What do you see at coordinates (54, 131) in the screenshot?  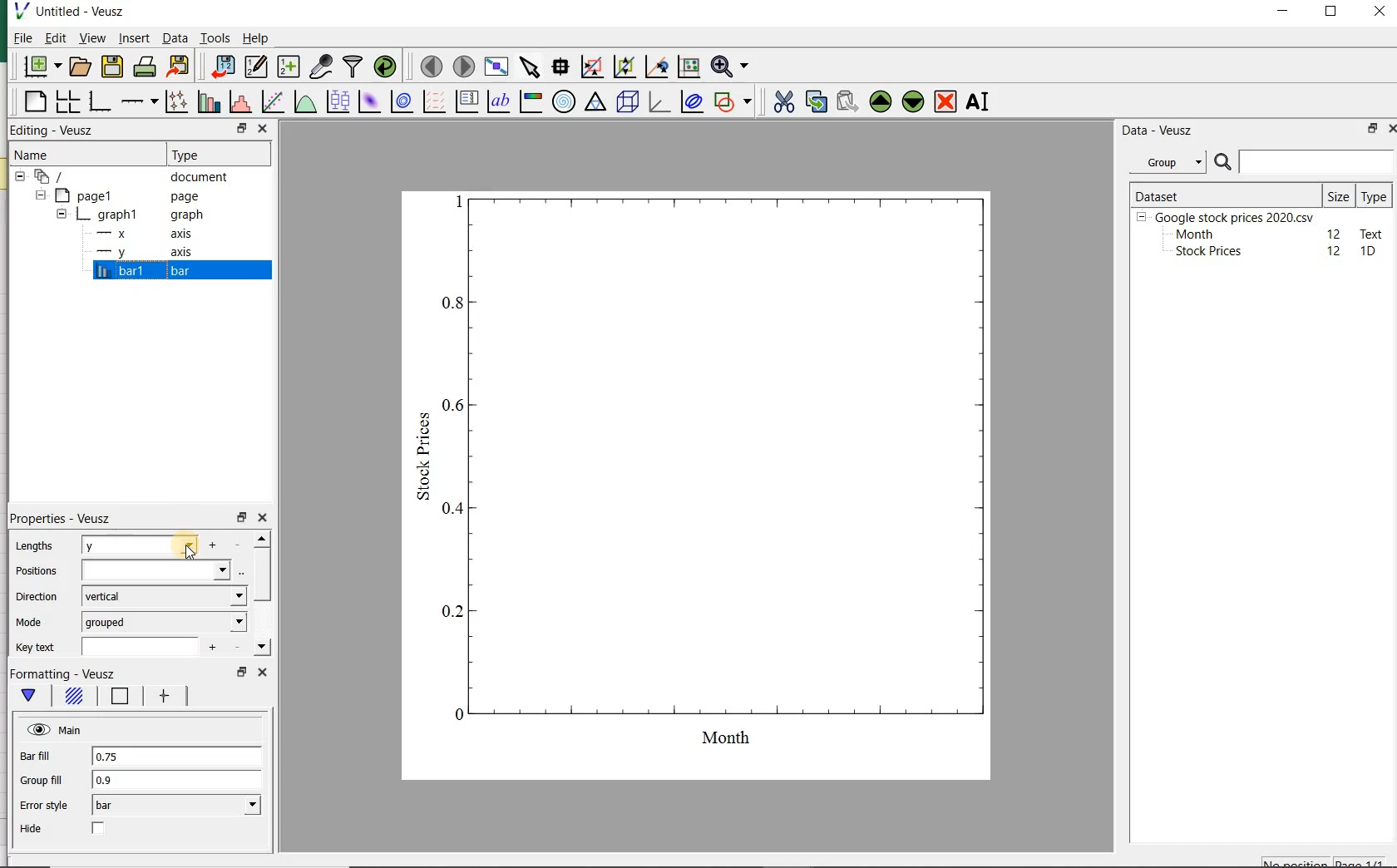 I see `Editing - Veusz` at bounding box center [54, 131].